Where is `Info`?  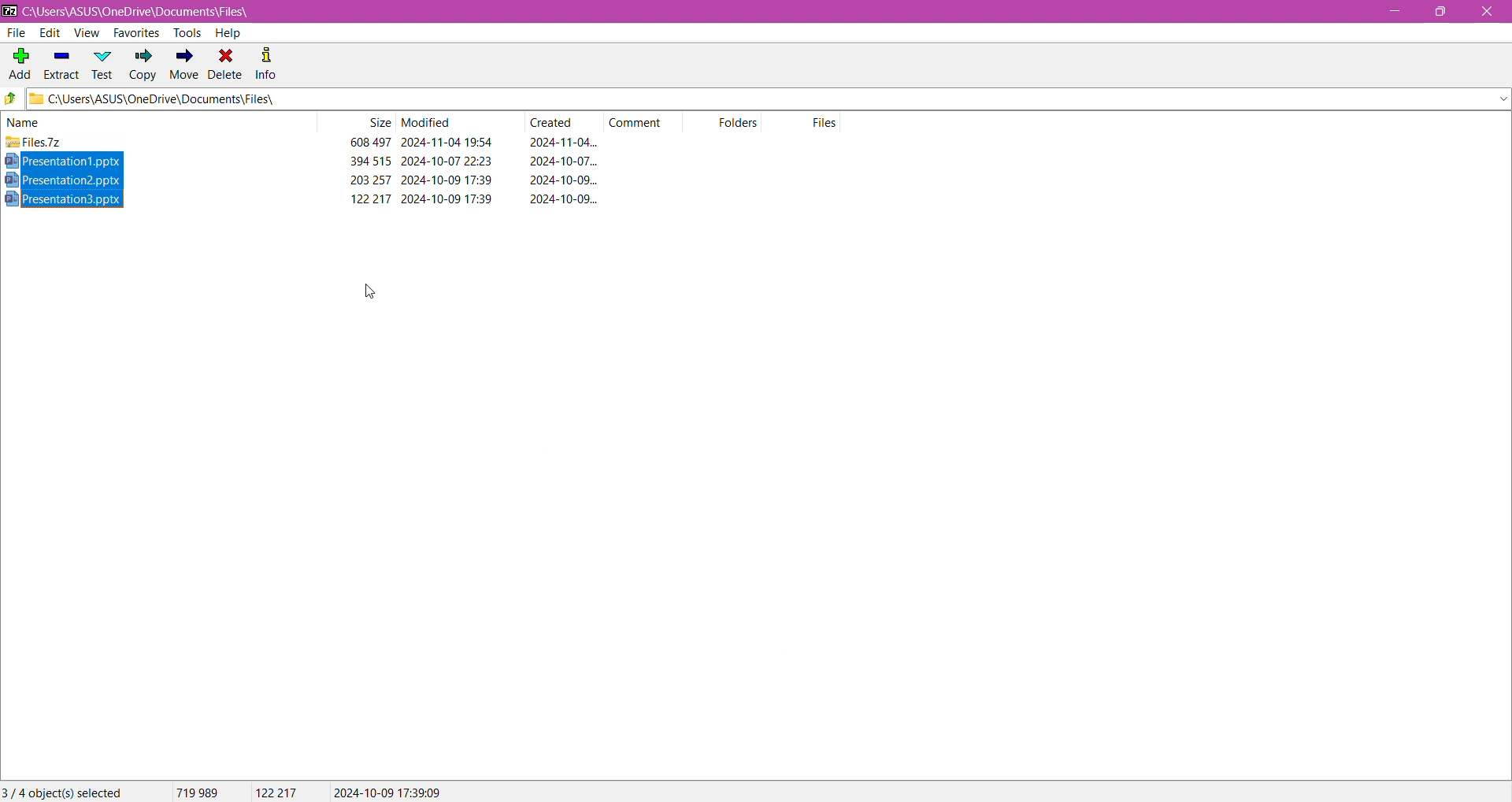 Info is located at coordinates (267, 62).